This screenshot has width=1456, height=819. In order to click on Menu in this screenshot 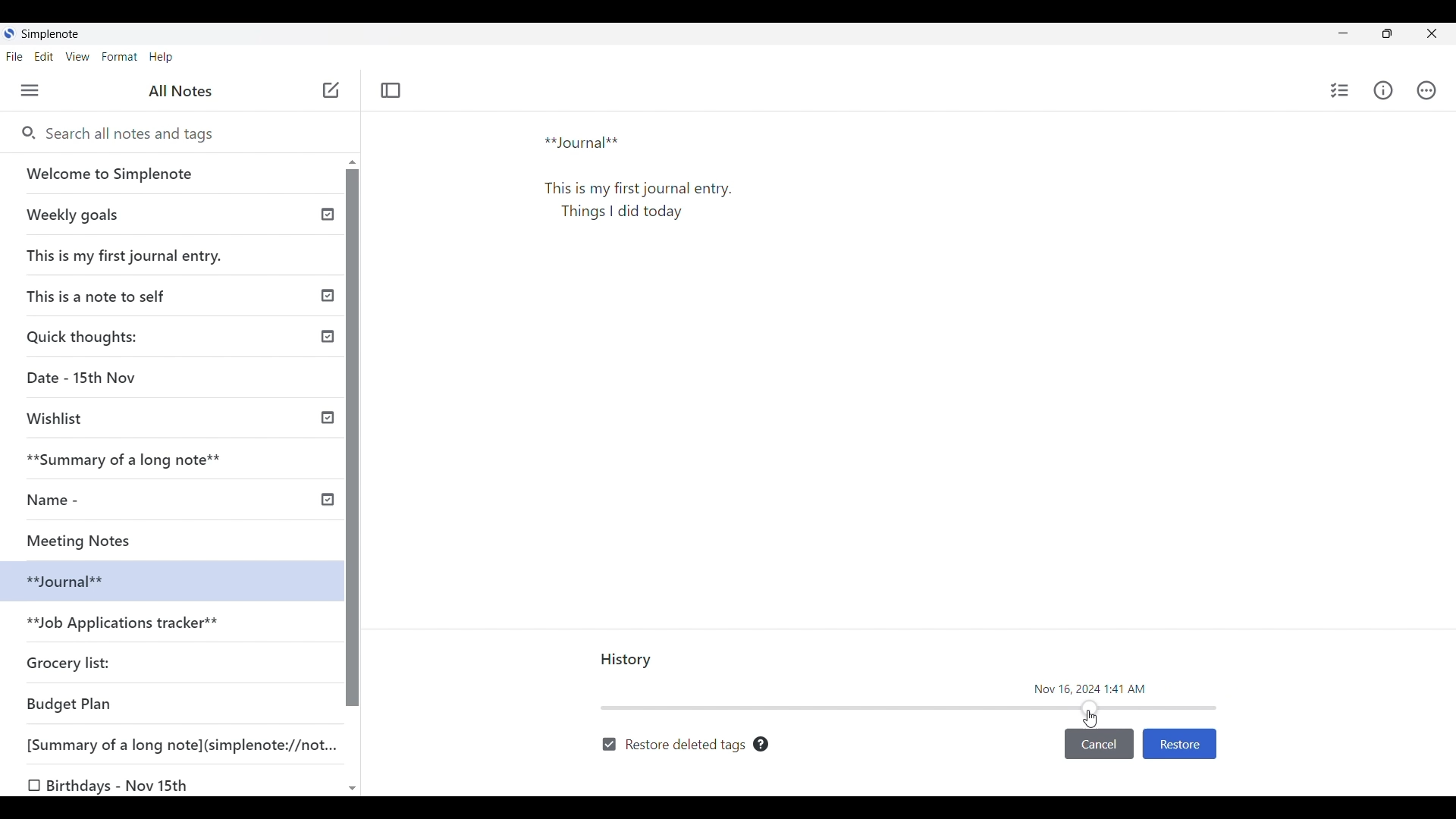, I will do `click(30, 90)`.